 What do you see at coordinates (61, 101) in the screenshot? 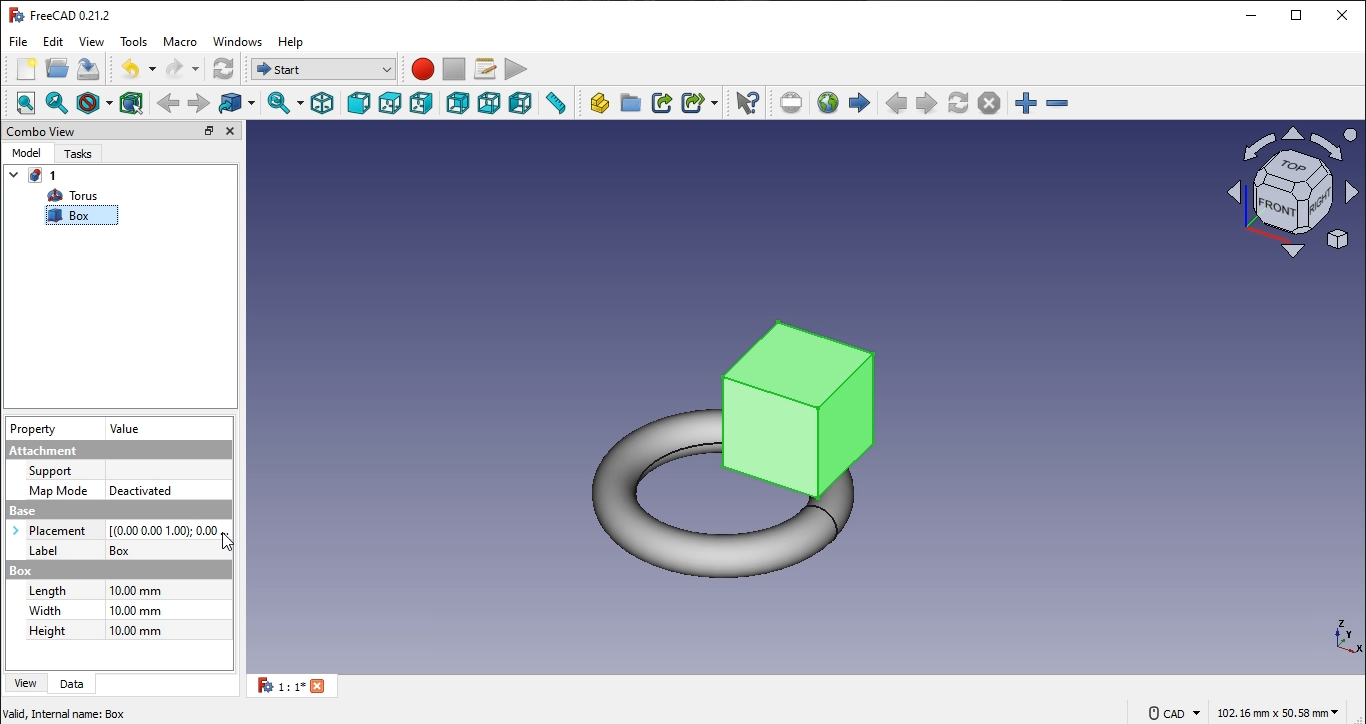
I see `fit selection` at bounding box center [61, 101].